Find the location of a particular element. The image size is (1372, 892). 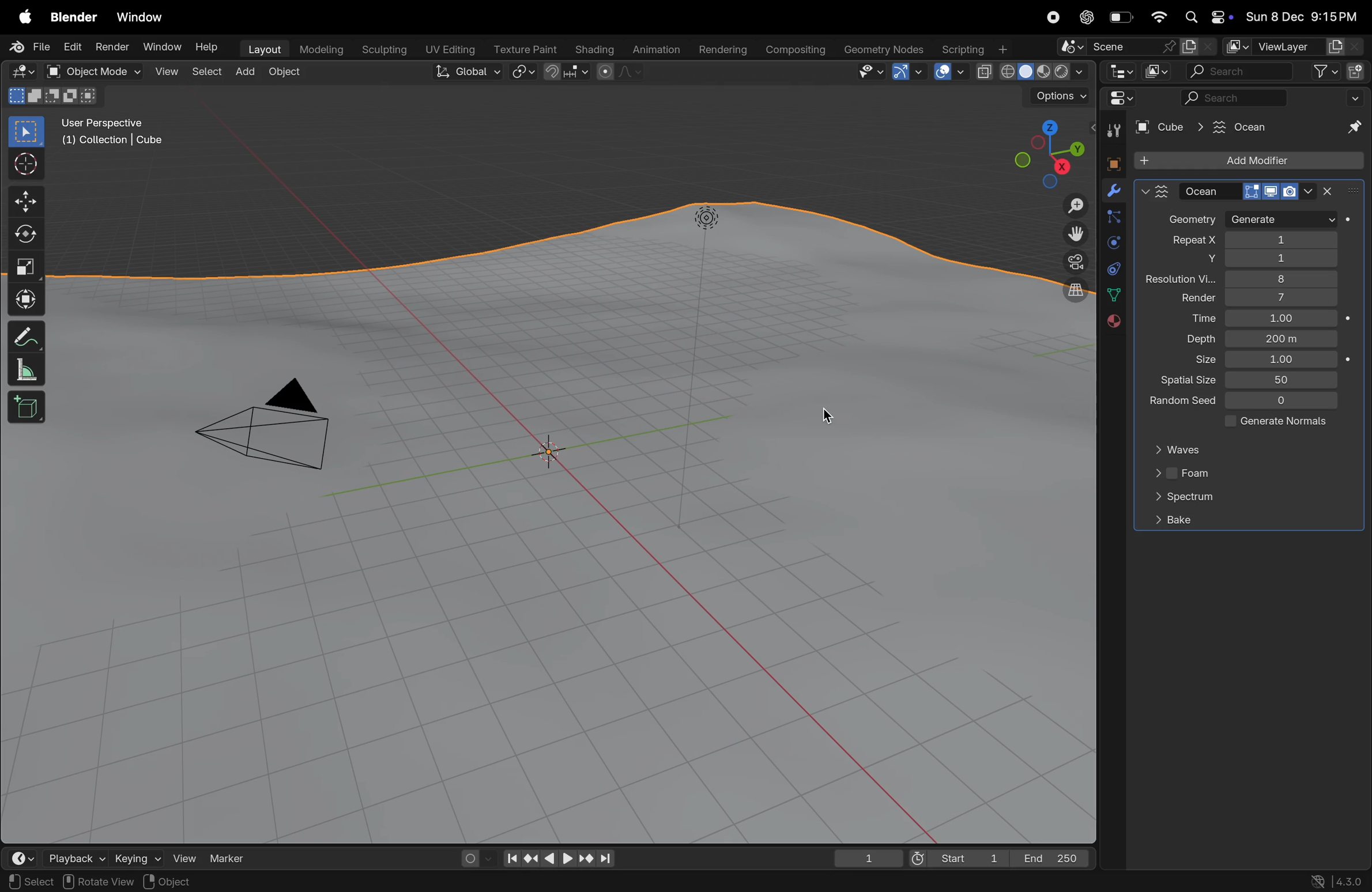

modelling is located at coordinates (322, 48).